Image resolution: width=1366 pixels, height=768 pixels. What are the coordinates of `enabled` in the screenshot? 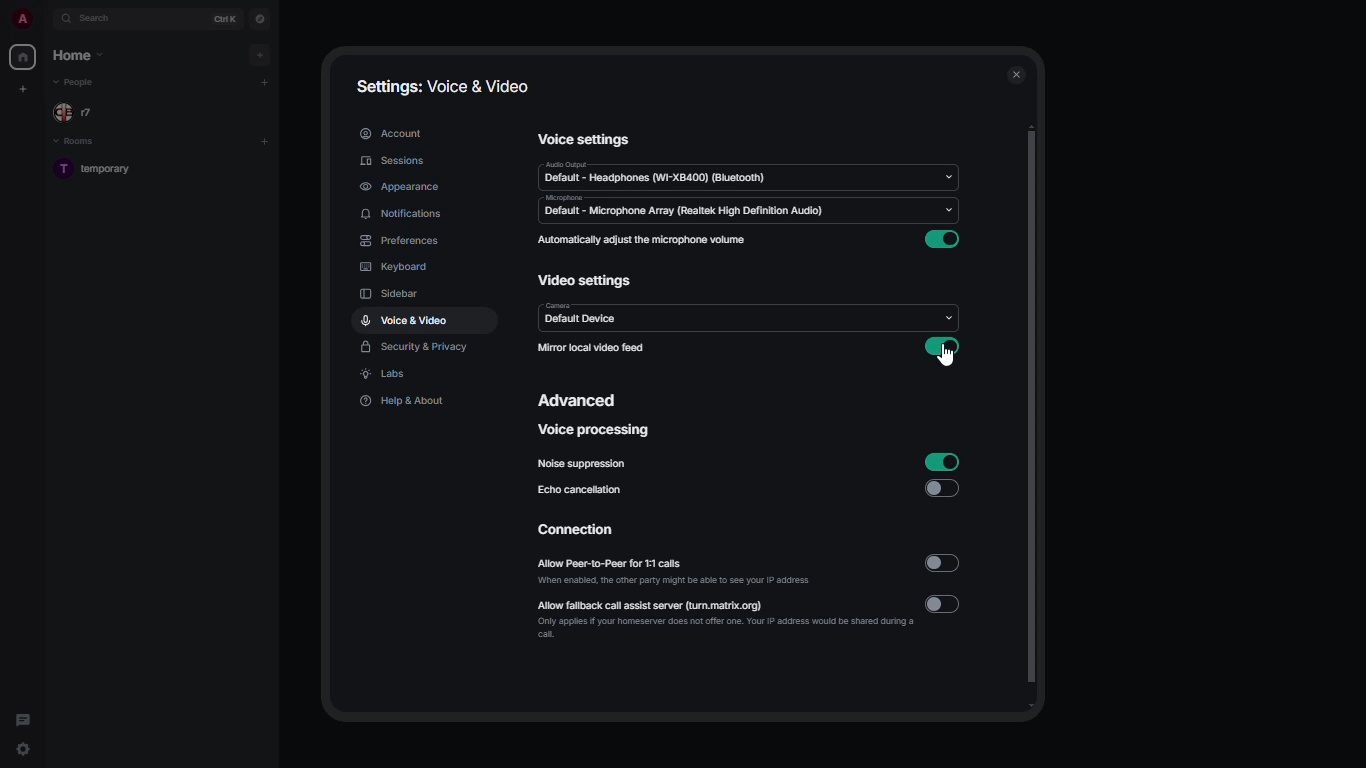 It's located at (941, 347).